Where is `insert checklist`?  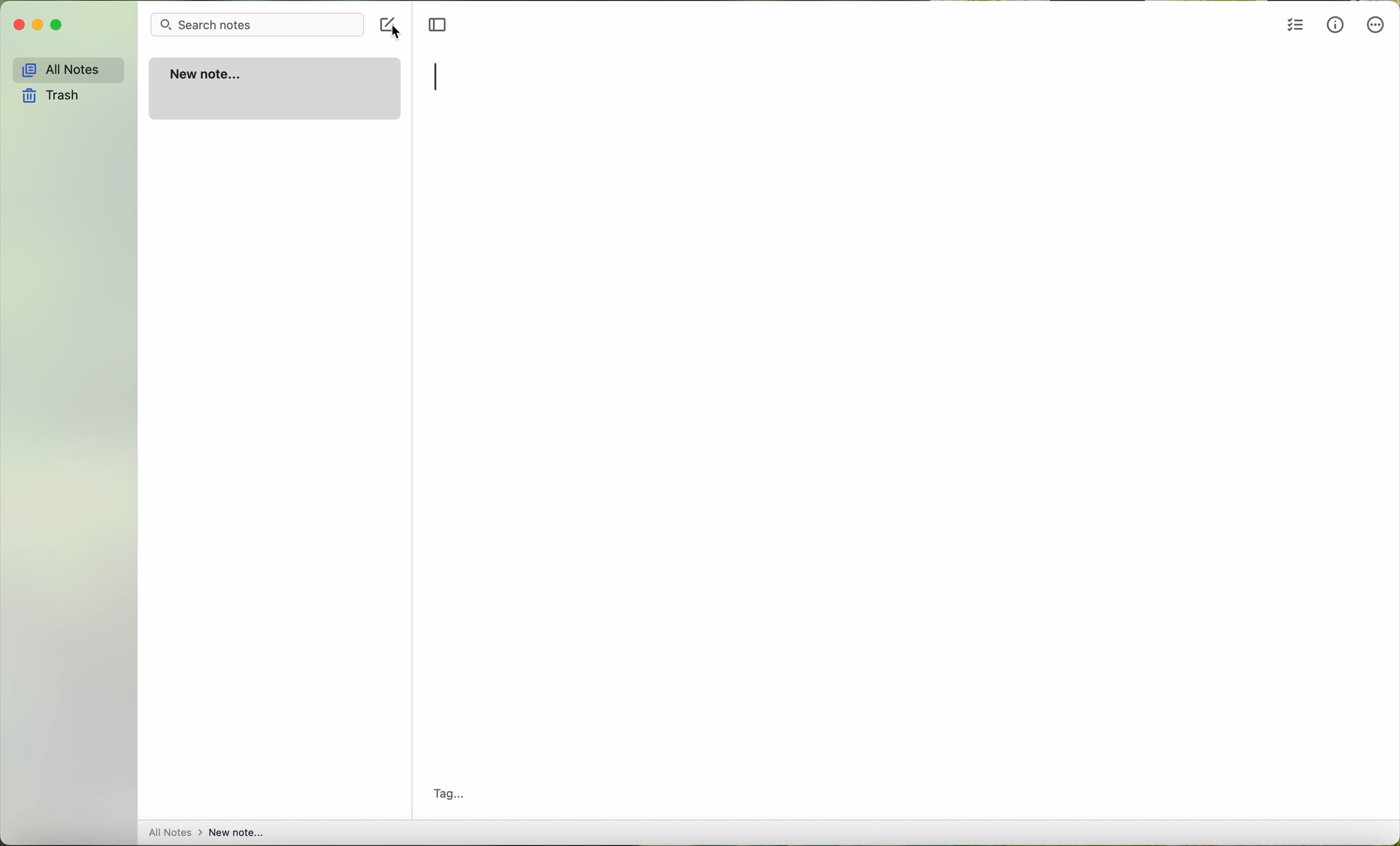 insert checklist is located at coordinates (1295, 26).